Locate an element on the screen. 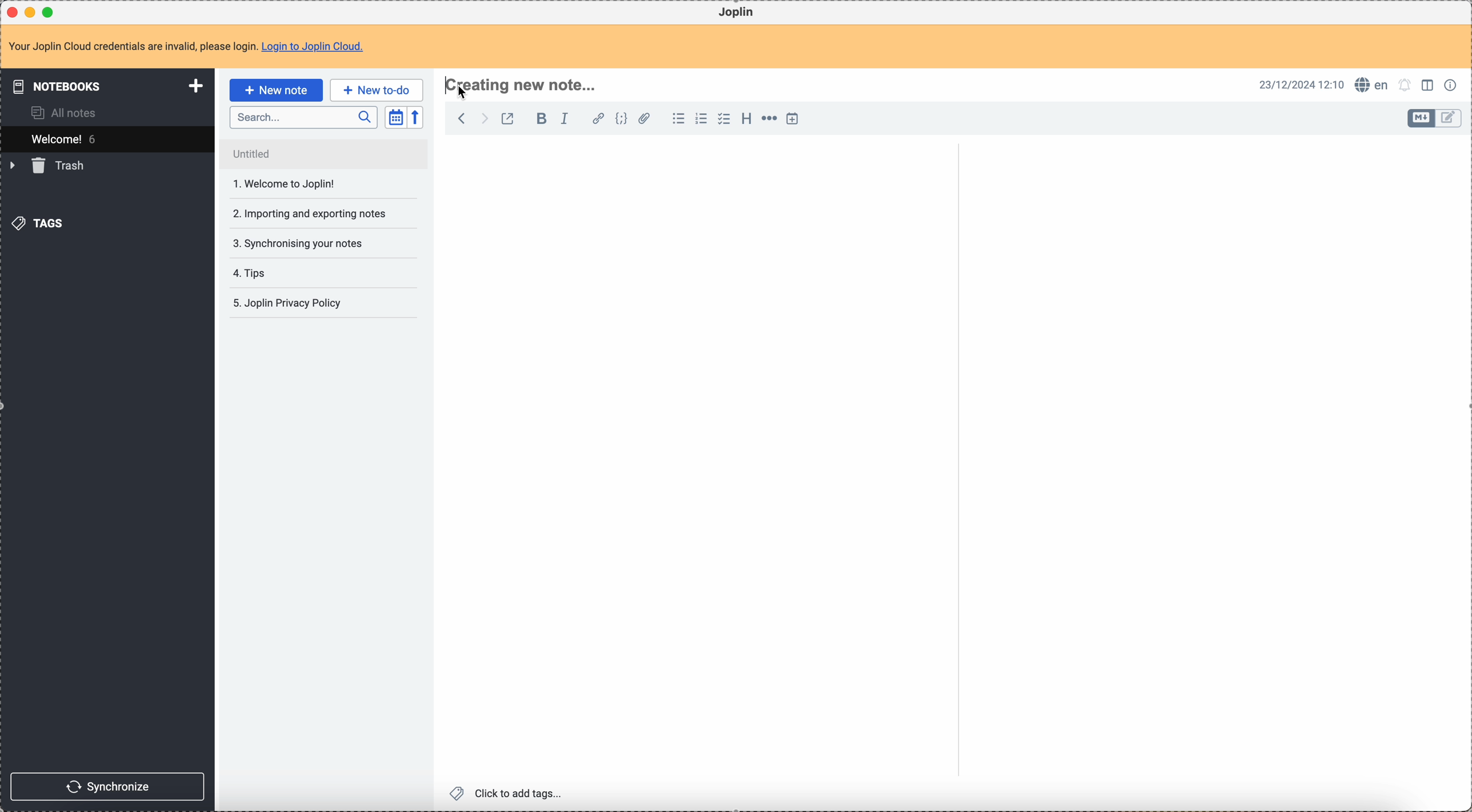 The width and height of the screenshot is (1472, 812). insert time is located at coordinates (792, 119).